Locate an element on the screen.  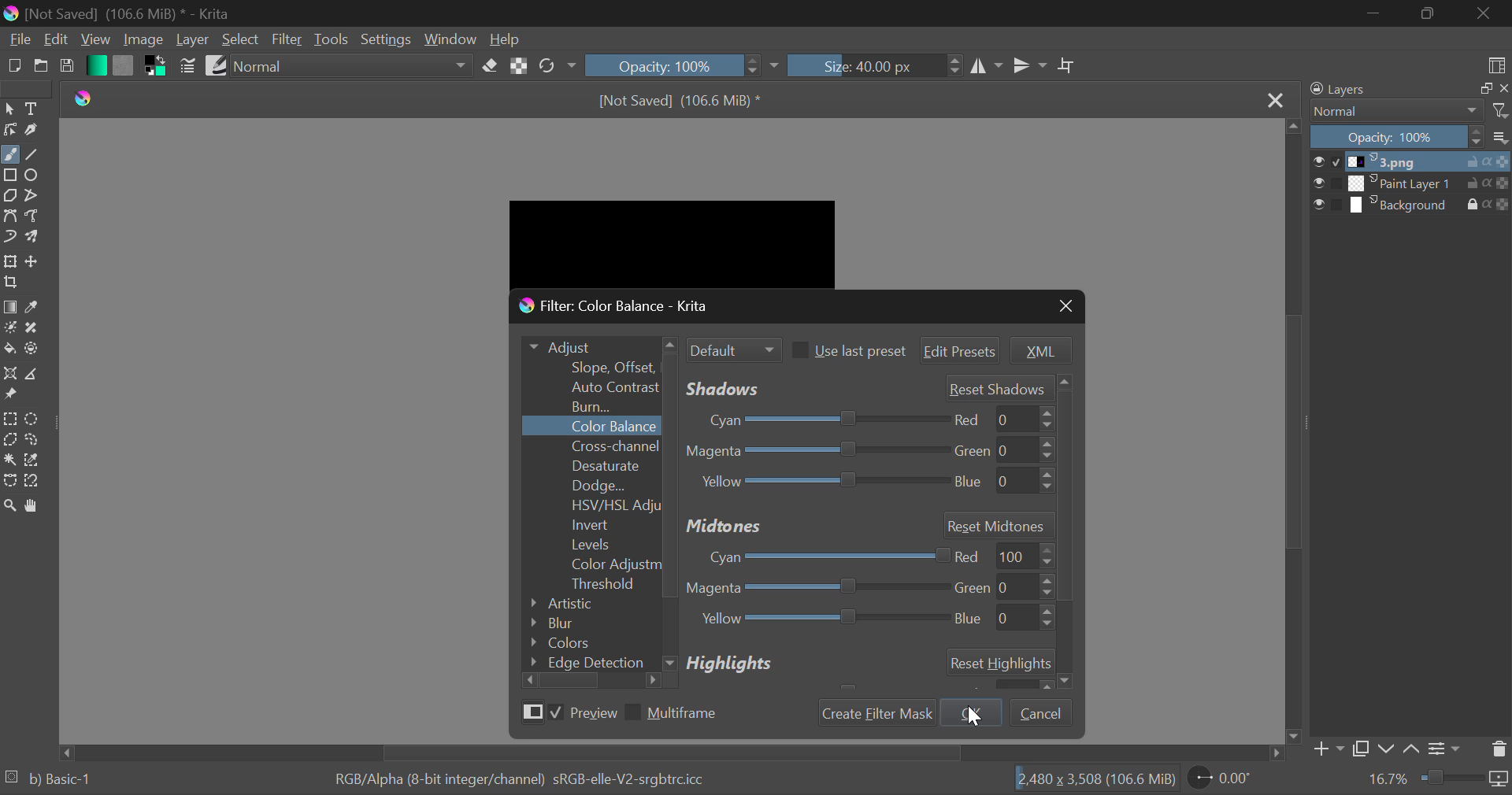
Dynamic Brush is located at coordinates (10, 238).